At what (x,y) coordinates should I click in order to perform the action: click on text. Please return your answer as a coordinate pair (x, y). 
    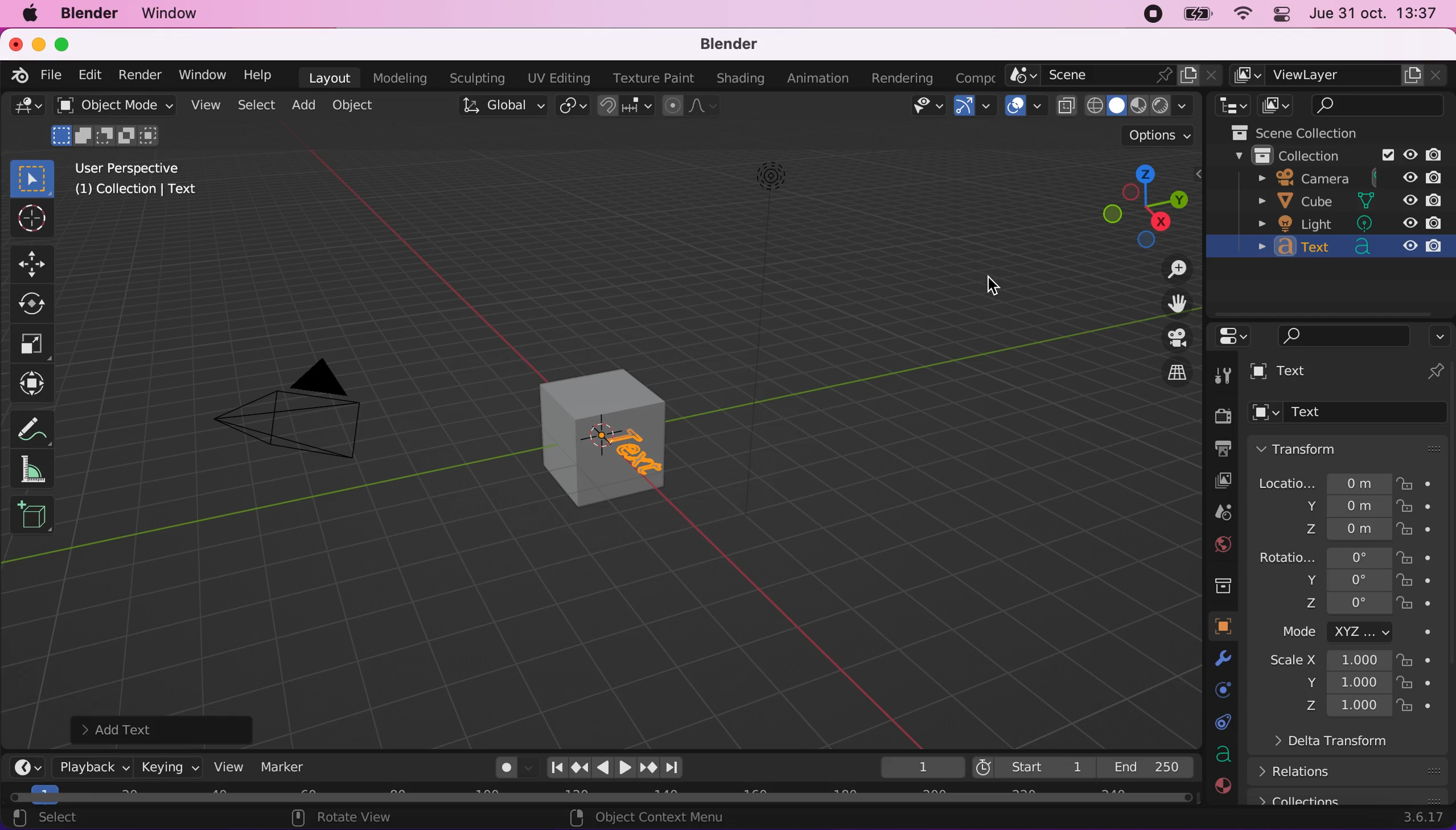
    Looking at the image, I should click on (1346, 247).